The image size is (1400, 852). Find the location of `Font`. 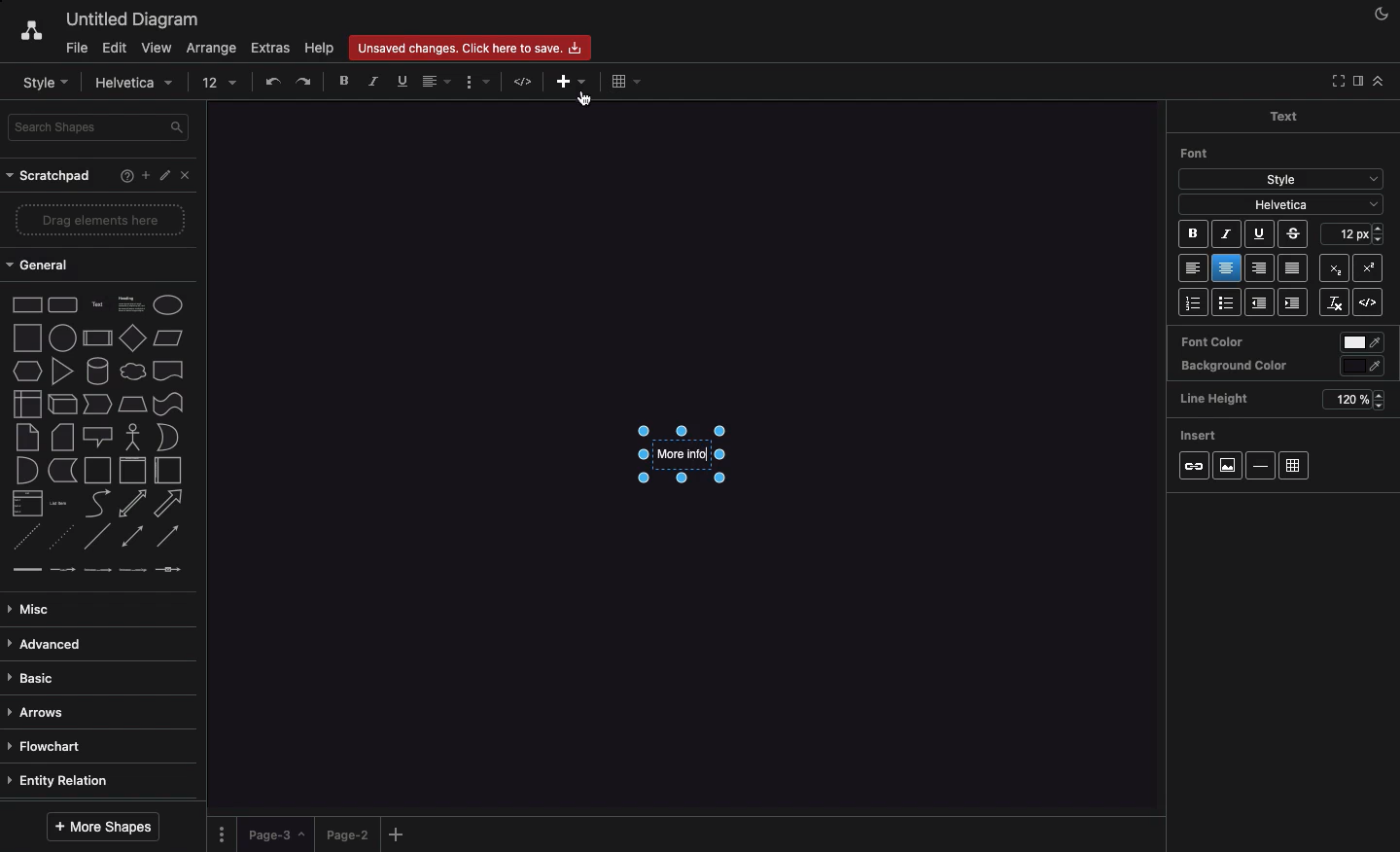

Font is located at coordinates (1196, 153).